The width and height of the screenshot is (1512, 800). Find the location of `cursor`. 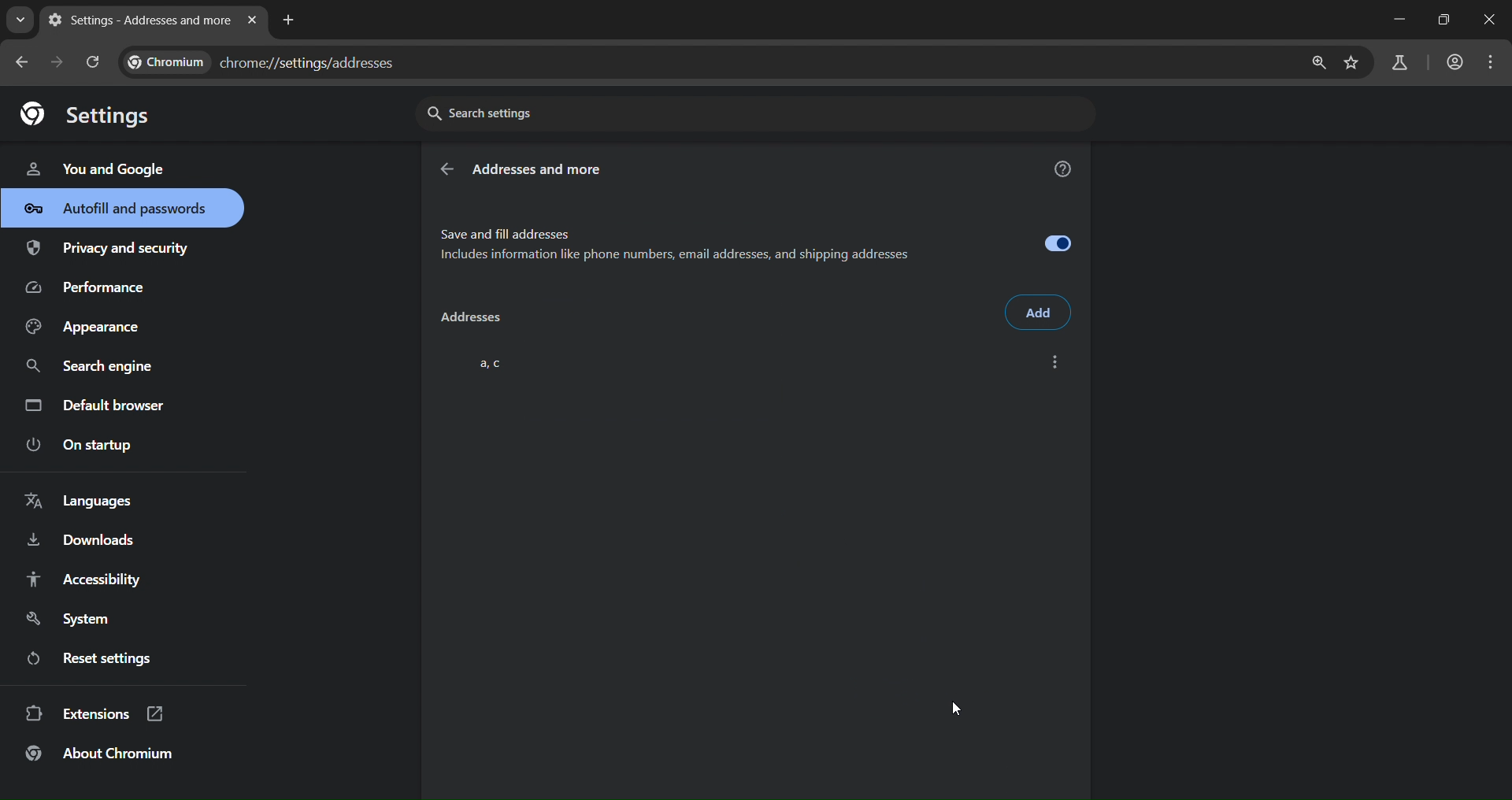

cursor is located at coordinates (956, 707).